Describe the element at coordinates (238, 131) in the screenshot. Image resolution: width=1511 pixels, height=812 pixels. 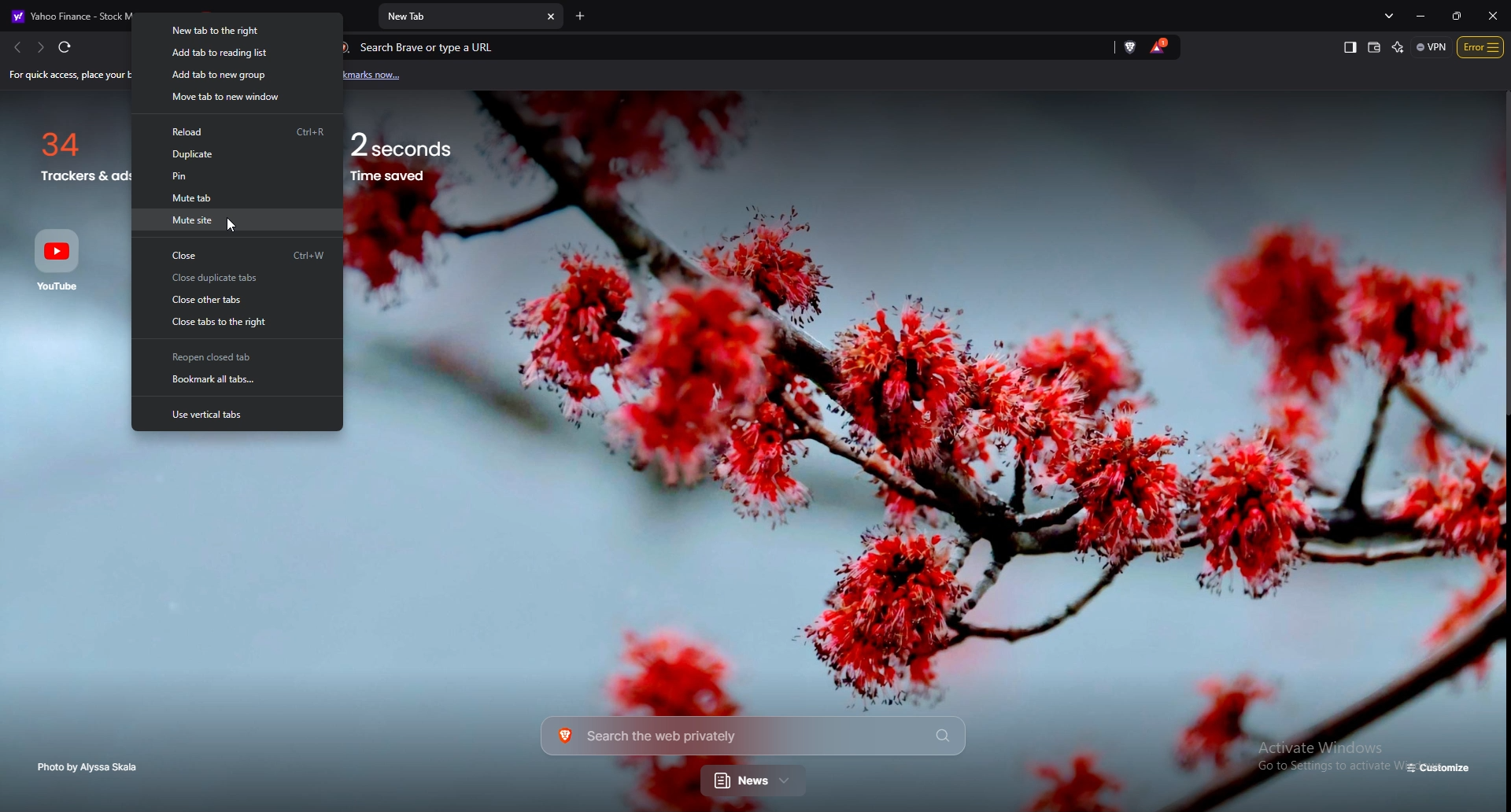
I see `reload` at that location.